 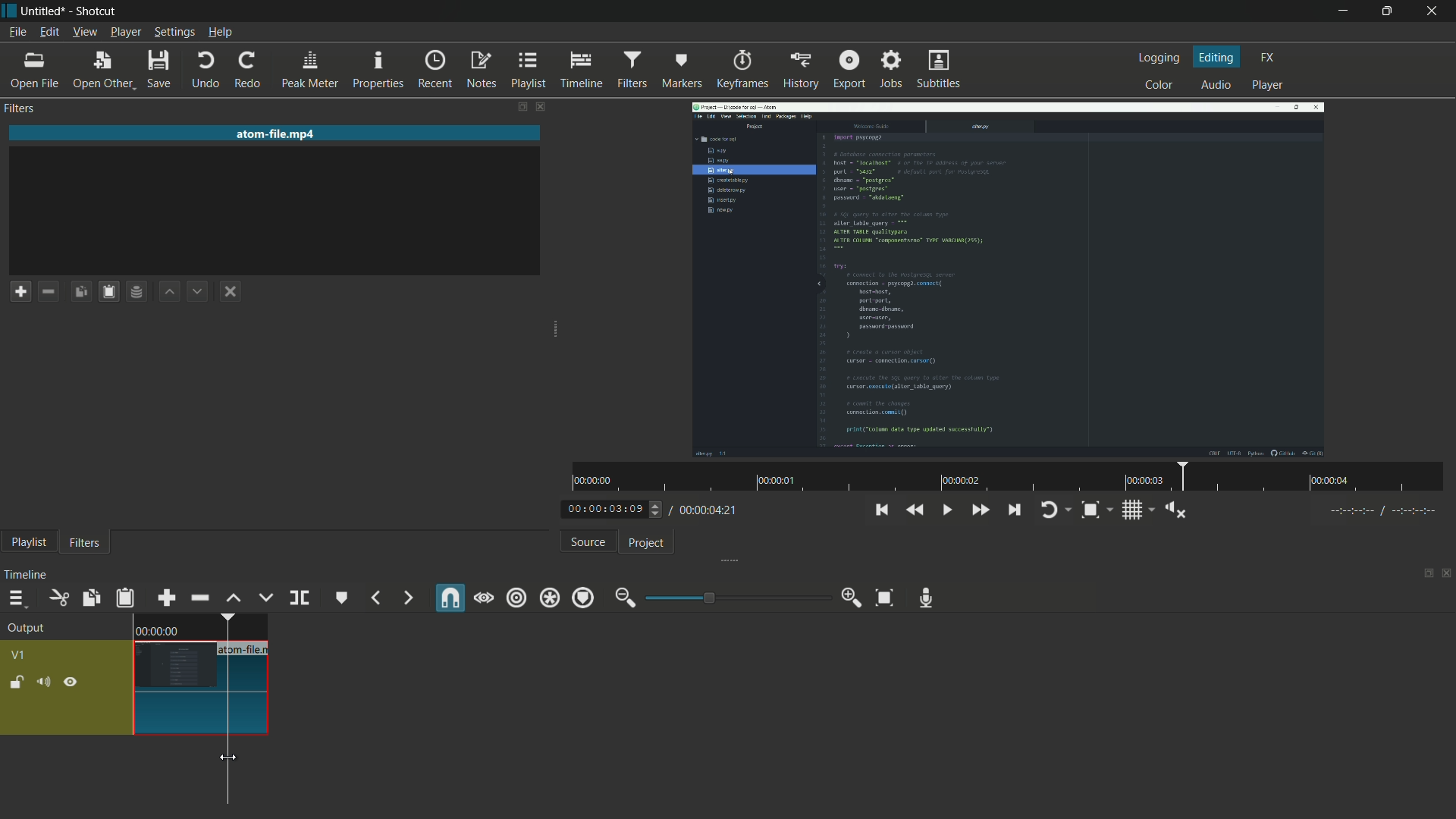 I want to click on history, so click(x=802, y=71).